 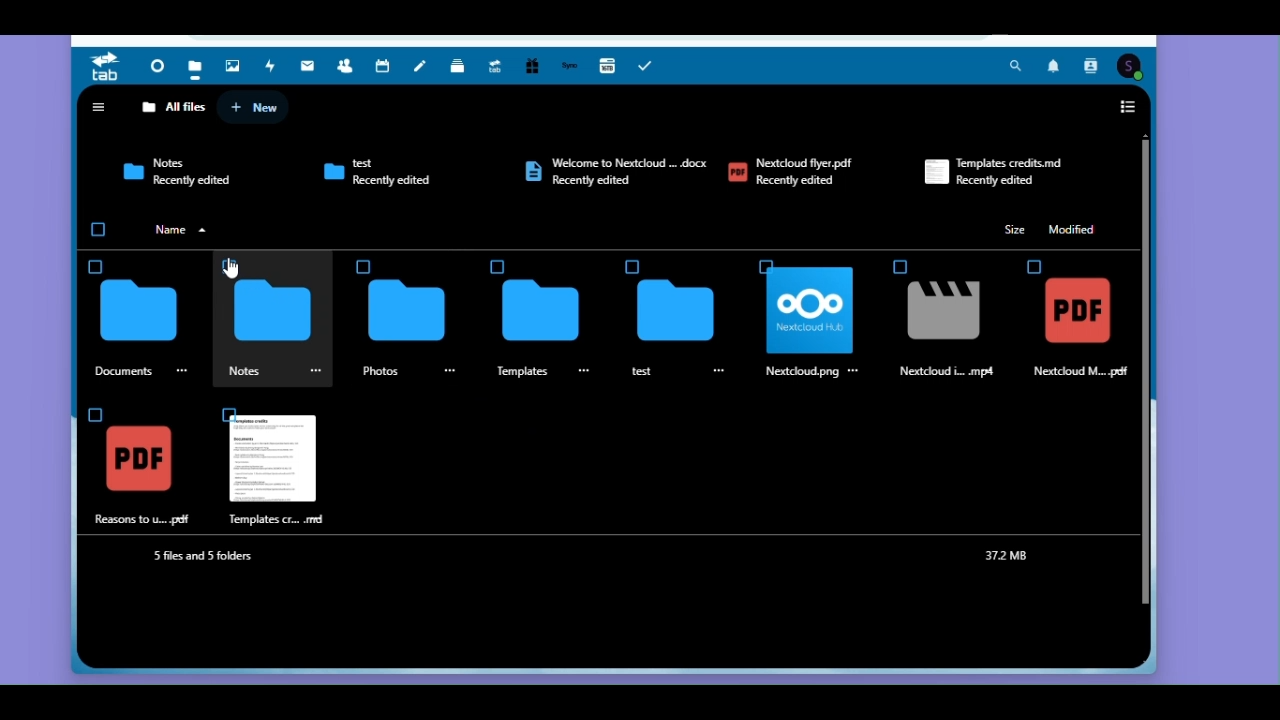 What do you see at coordinates (174, 106) in the screenshot?
I see `All files` at bounding box center [174, 106].